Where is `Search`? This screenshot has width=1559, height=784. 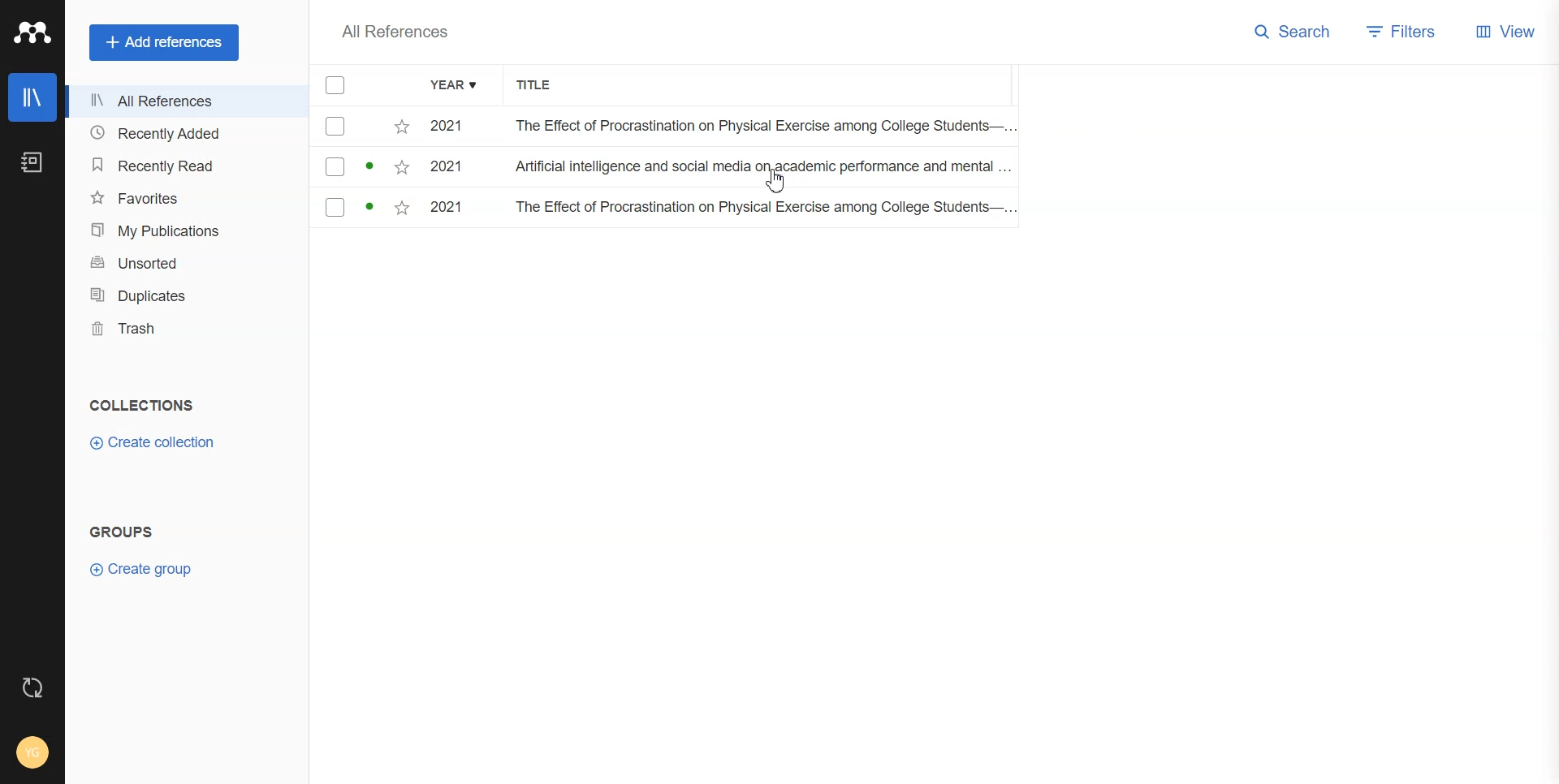 Search is located at coordinates (1293, 32).